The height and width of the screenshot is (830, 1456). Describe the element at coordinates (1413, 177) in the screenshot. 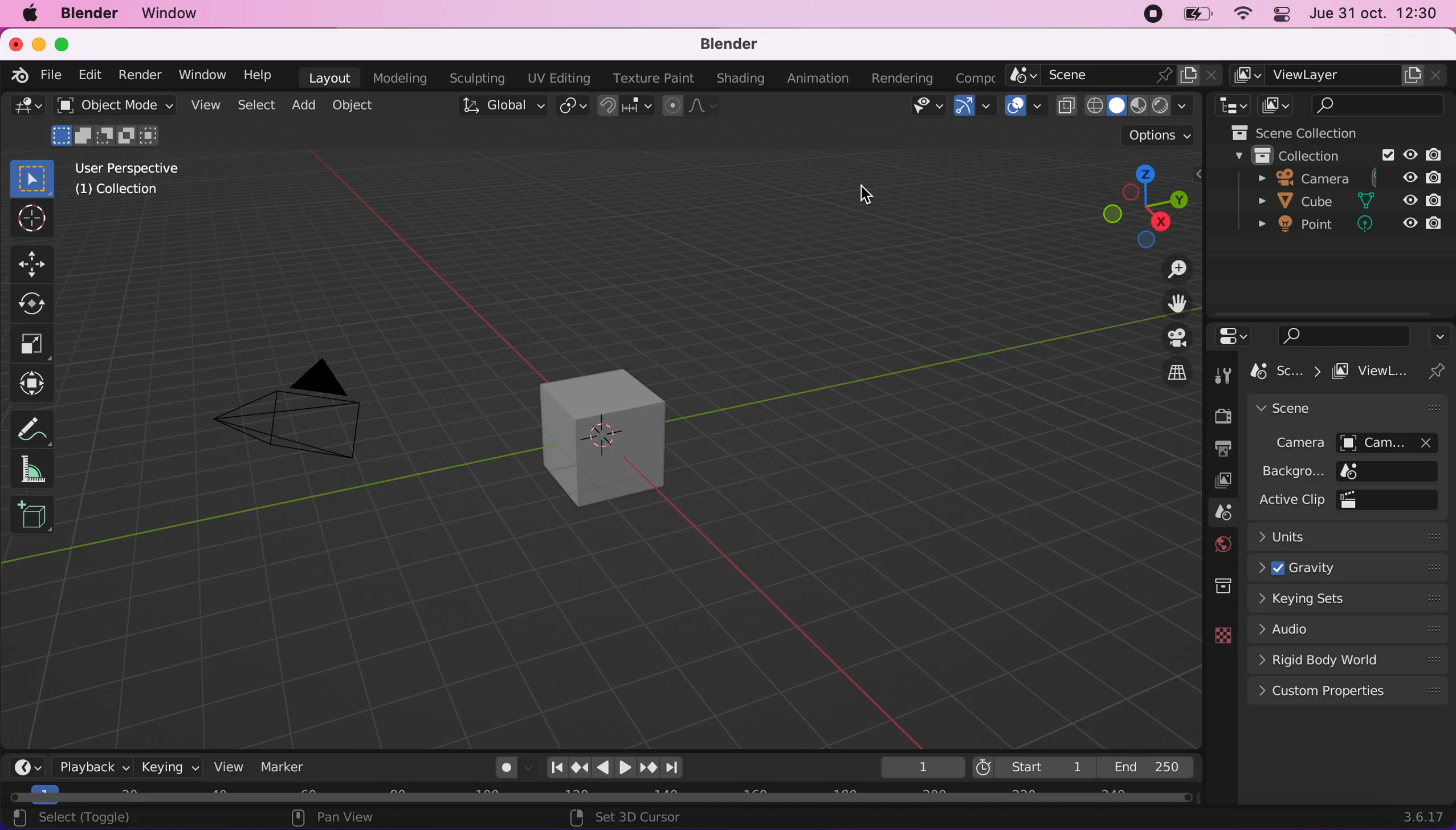

I see `hide in viewpoint` at that location.